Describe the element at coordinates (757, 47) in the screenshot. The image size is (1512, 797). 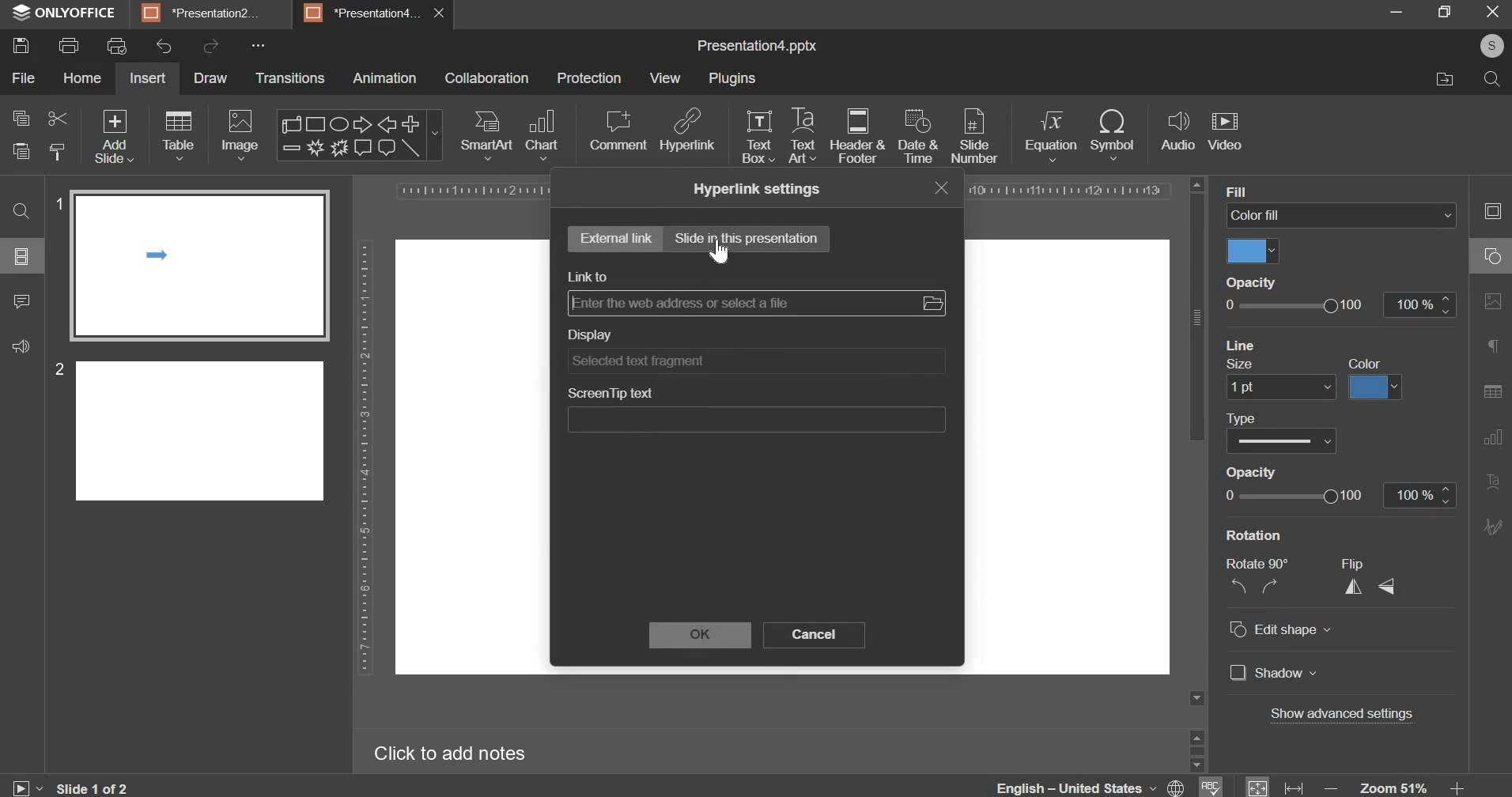
I see `presentation name` at that location.